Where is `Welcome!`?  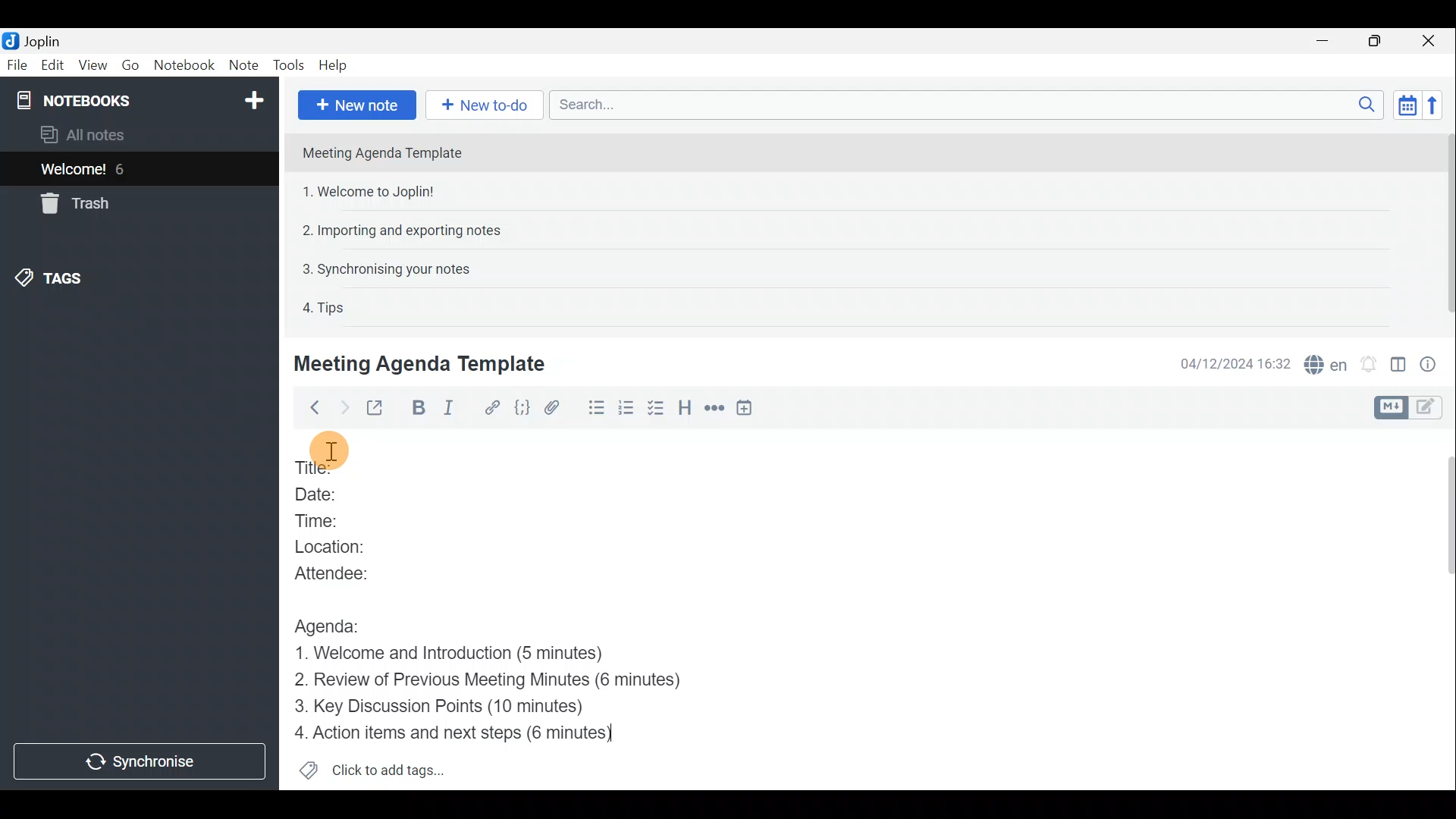
Welcome! is located at coordinates (74, 171).